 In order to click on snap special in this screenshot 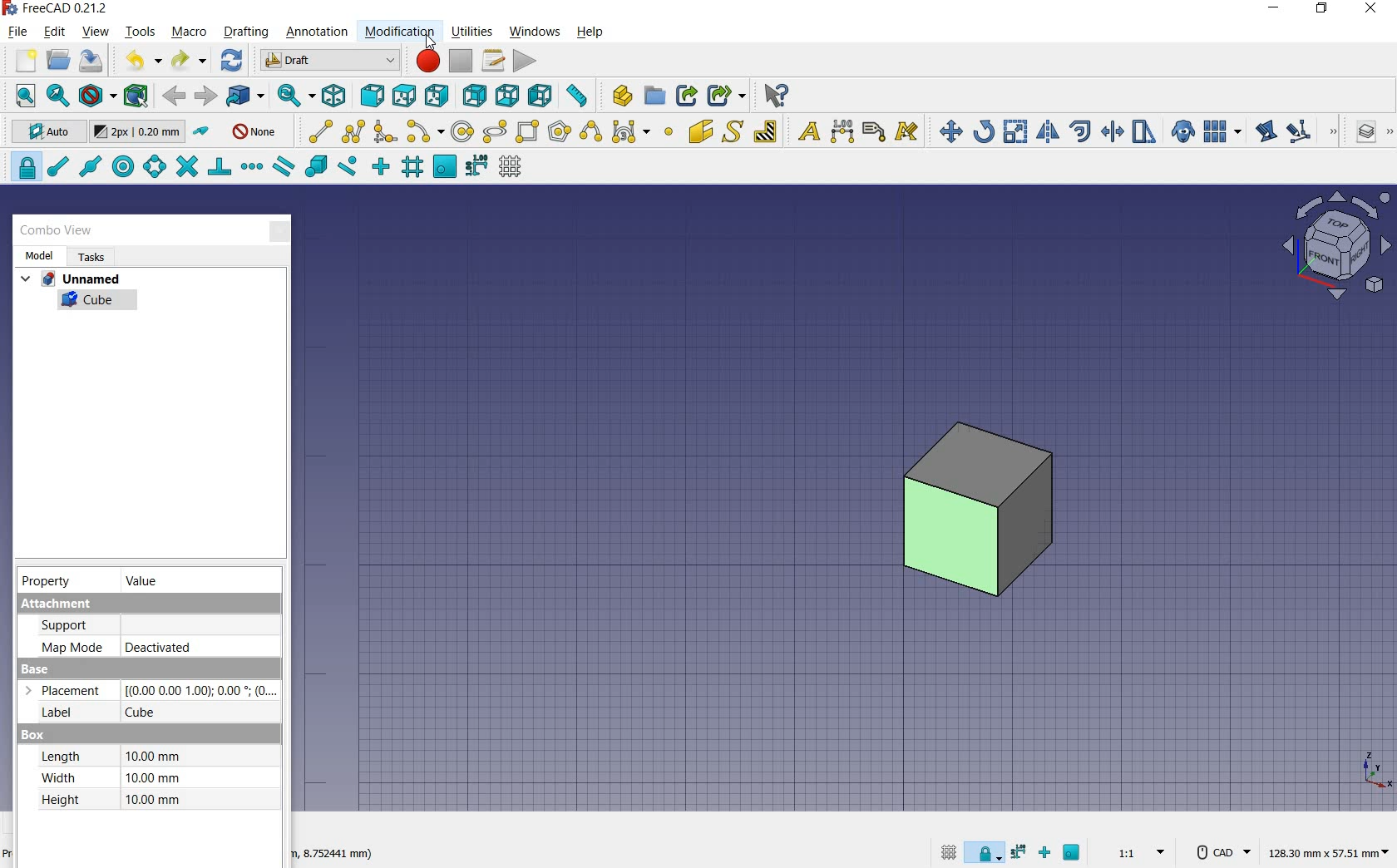, I will do `click(316, 166)`.